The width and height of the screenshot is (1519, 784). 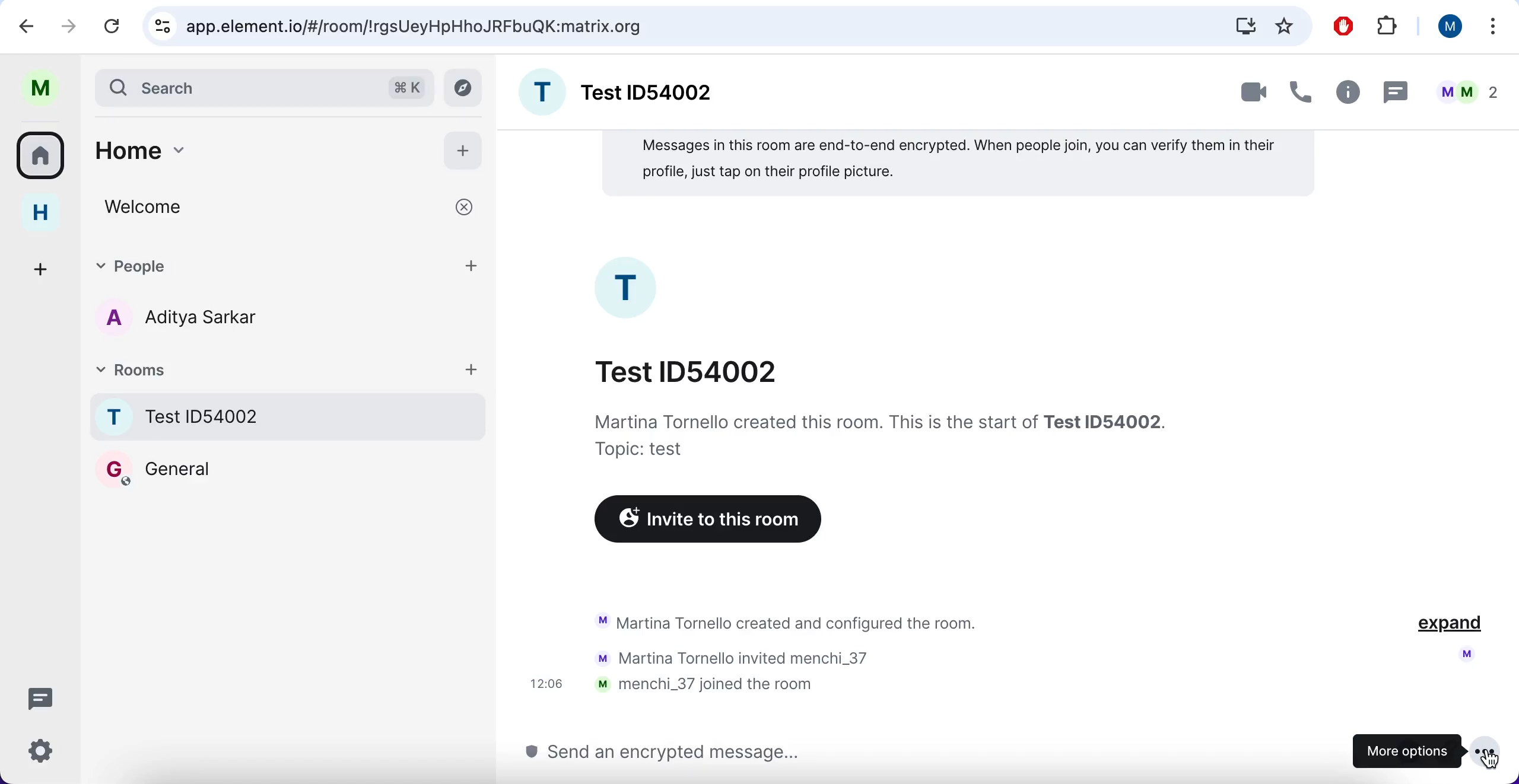 What do you see at coordinates (291, 368) in the screenshot?
I see `rooms` at bounding box center [291, 368].